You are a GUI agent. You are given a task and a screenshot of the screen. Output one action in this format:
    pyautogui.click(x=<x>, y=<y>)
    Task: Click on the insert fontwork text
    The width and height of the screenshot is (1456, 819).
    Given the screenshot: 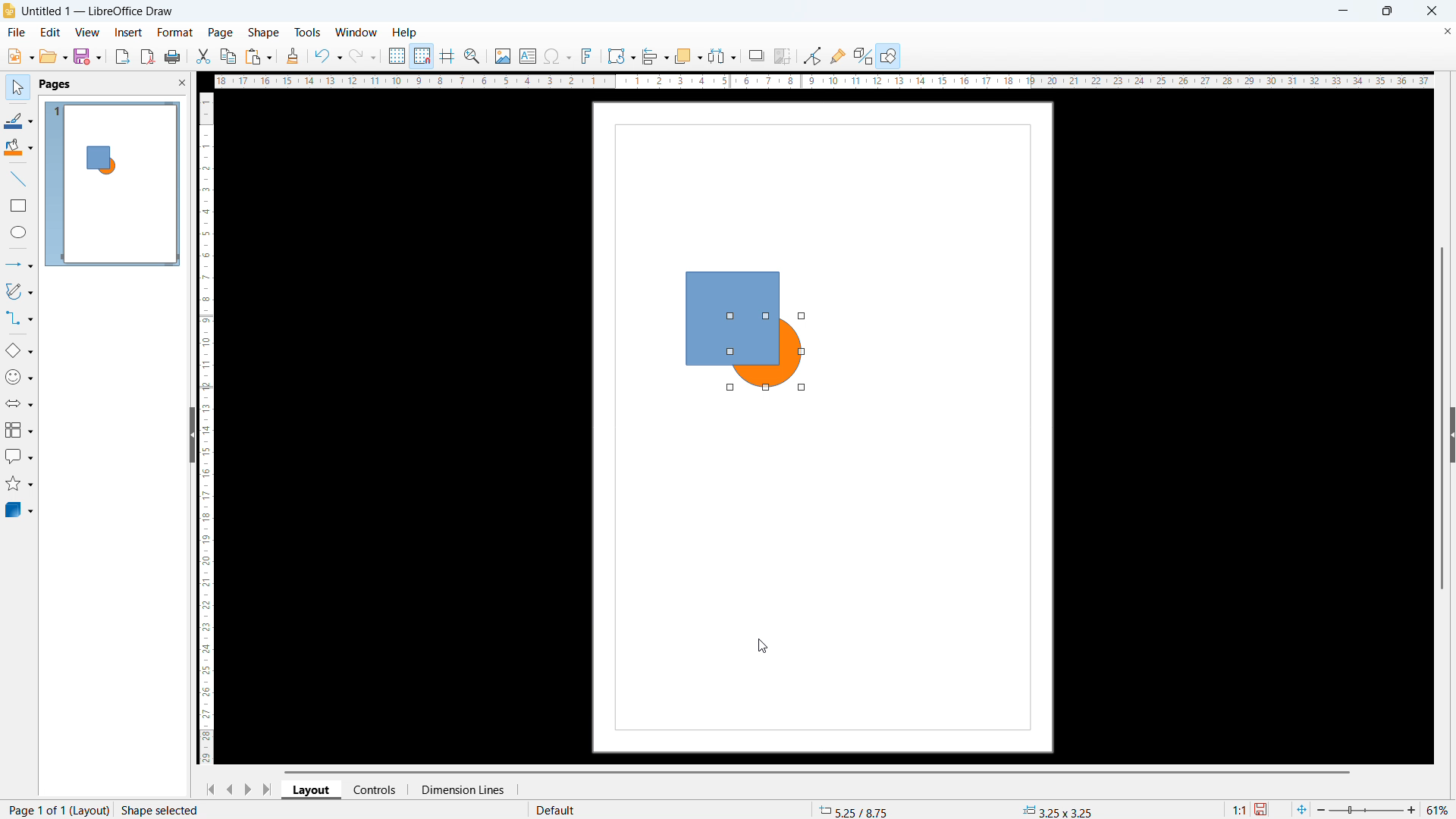 What is the action you would take?
    pyautogui.click(x=587, y=55)
    